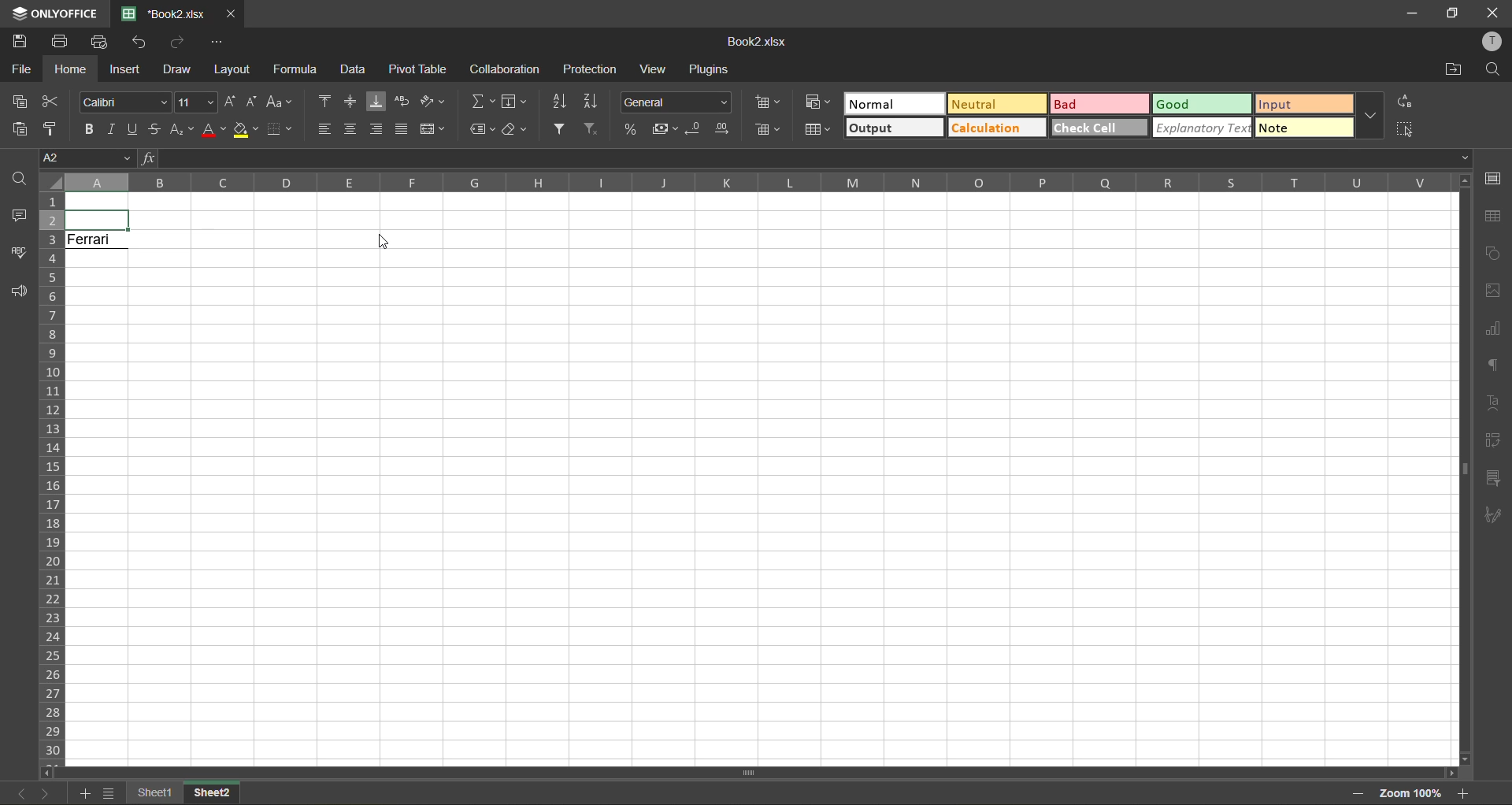 The width and height of the screenshot is (1512, 805). I want to click on find, so click(17, 180).